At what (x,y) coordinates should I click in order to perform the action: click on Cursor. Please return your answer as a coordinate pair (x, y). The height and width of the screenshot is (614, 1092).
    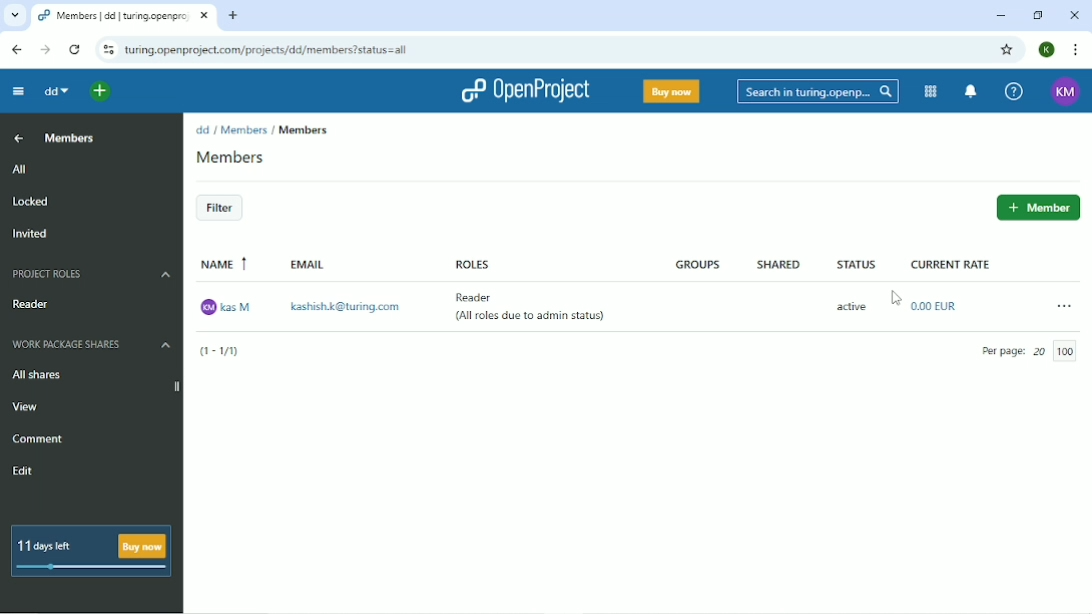
    Looking at the image, I should click on (898, 298).